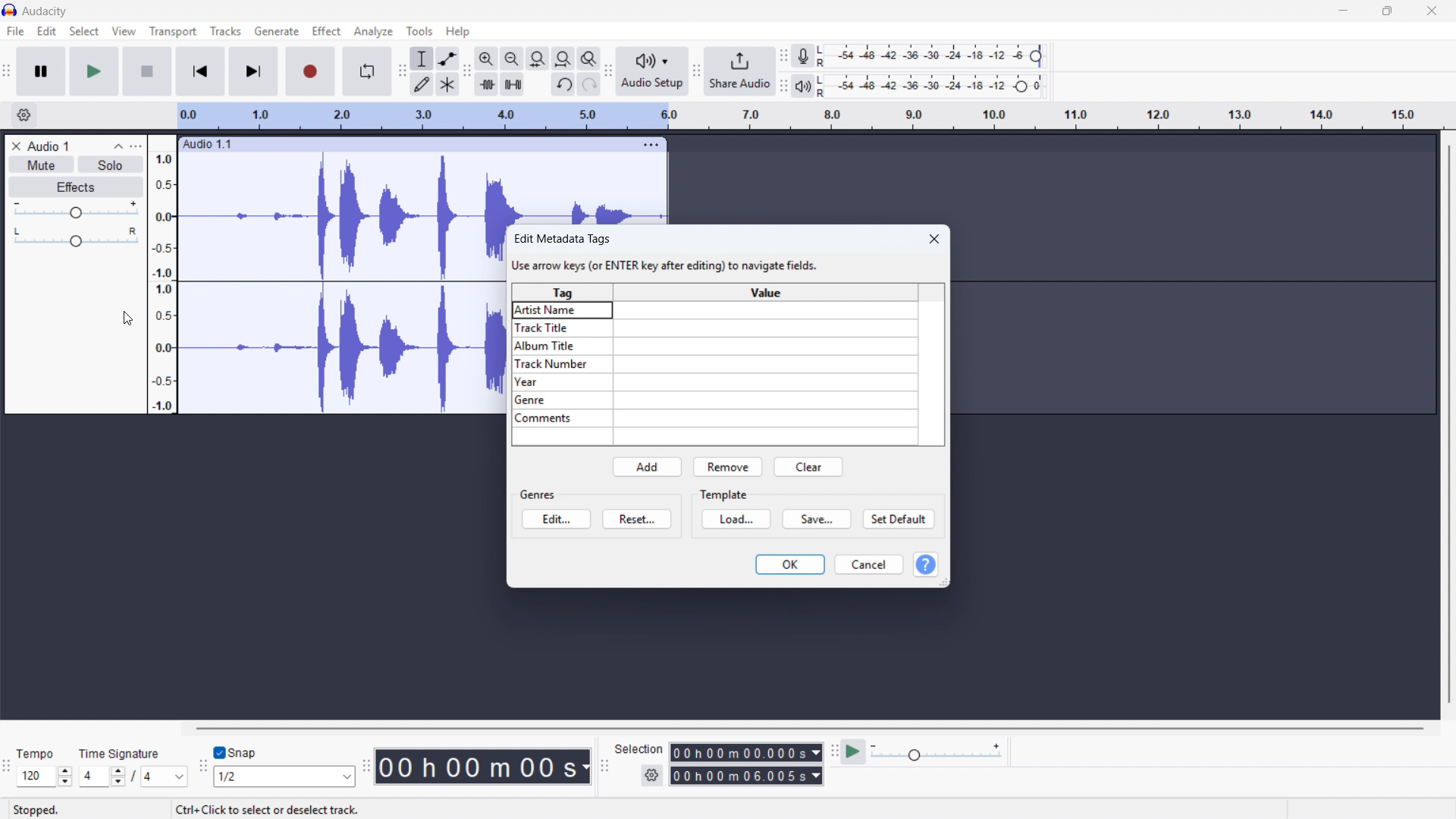 The width and height of the screenshot is (1456, 819). Describe the element at coordinates (15, 146) in the screenshot. I see `remove track` at that location.